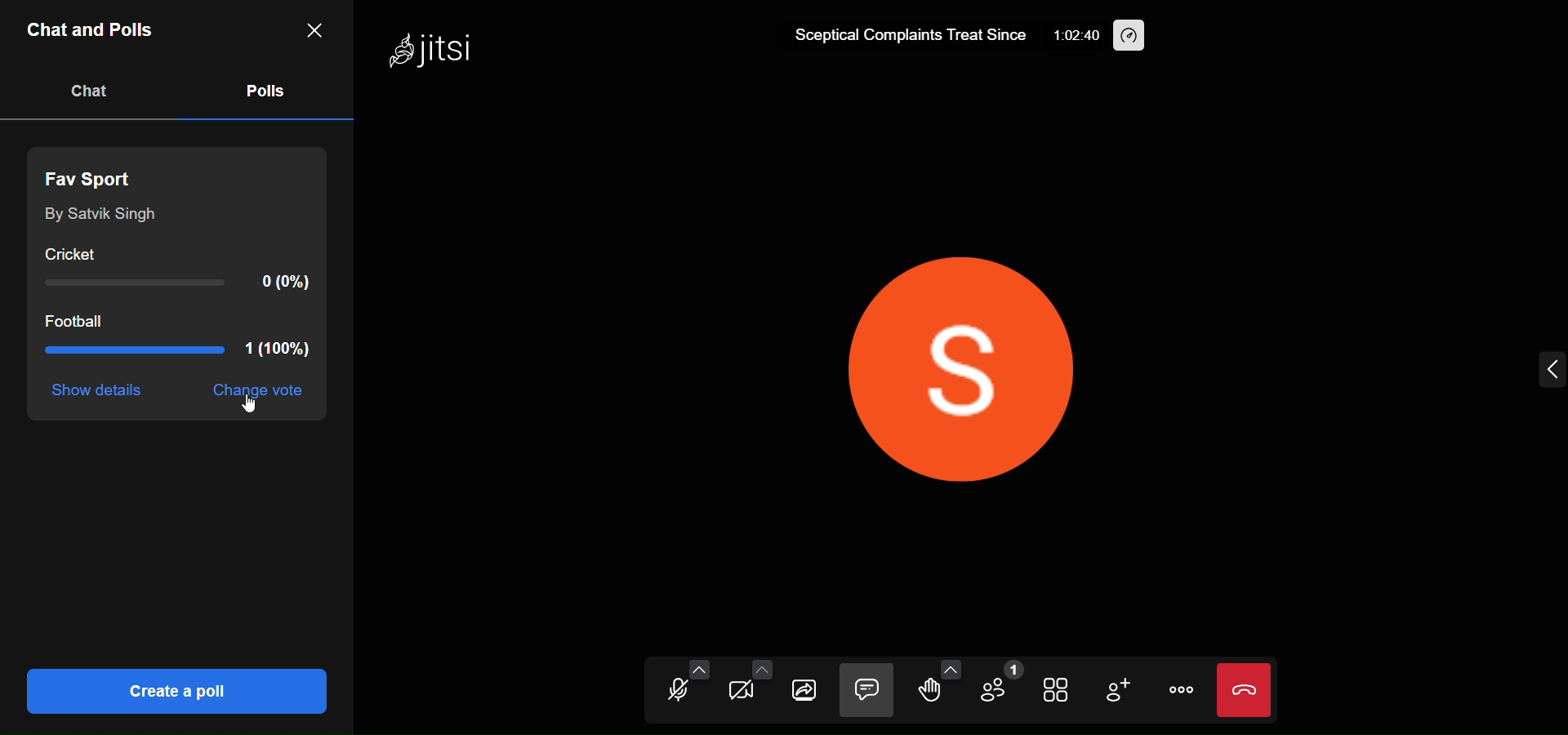 The height and width of the screenshot is (735, 1568). I want to click on display picture, so click(973, 359).